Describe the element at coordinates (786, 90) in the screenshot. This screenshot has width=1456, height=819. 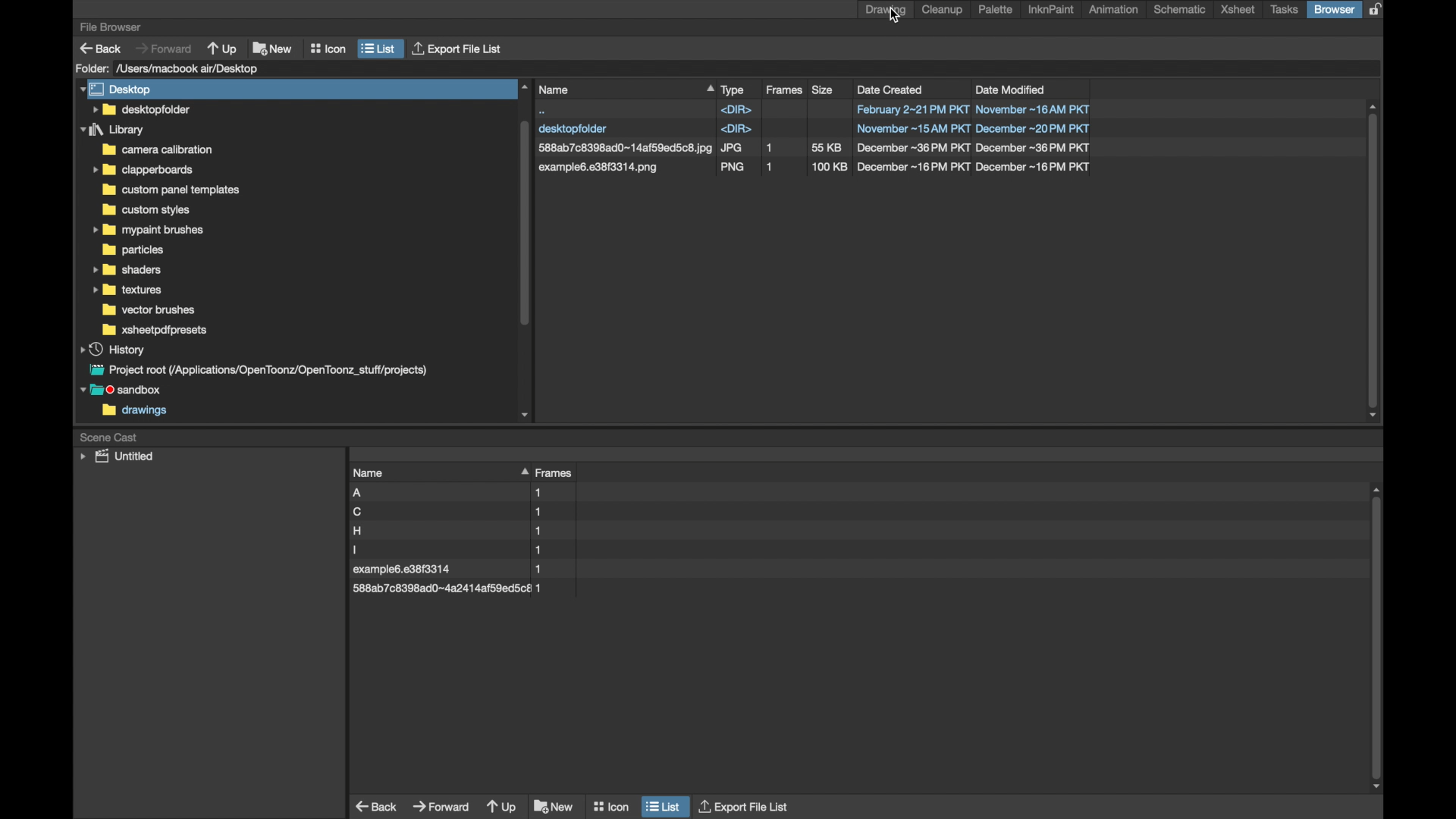
I see `frames` at that location.